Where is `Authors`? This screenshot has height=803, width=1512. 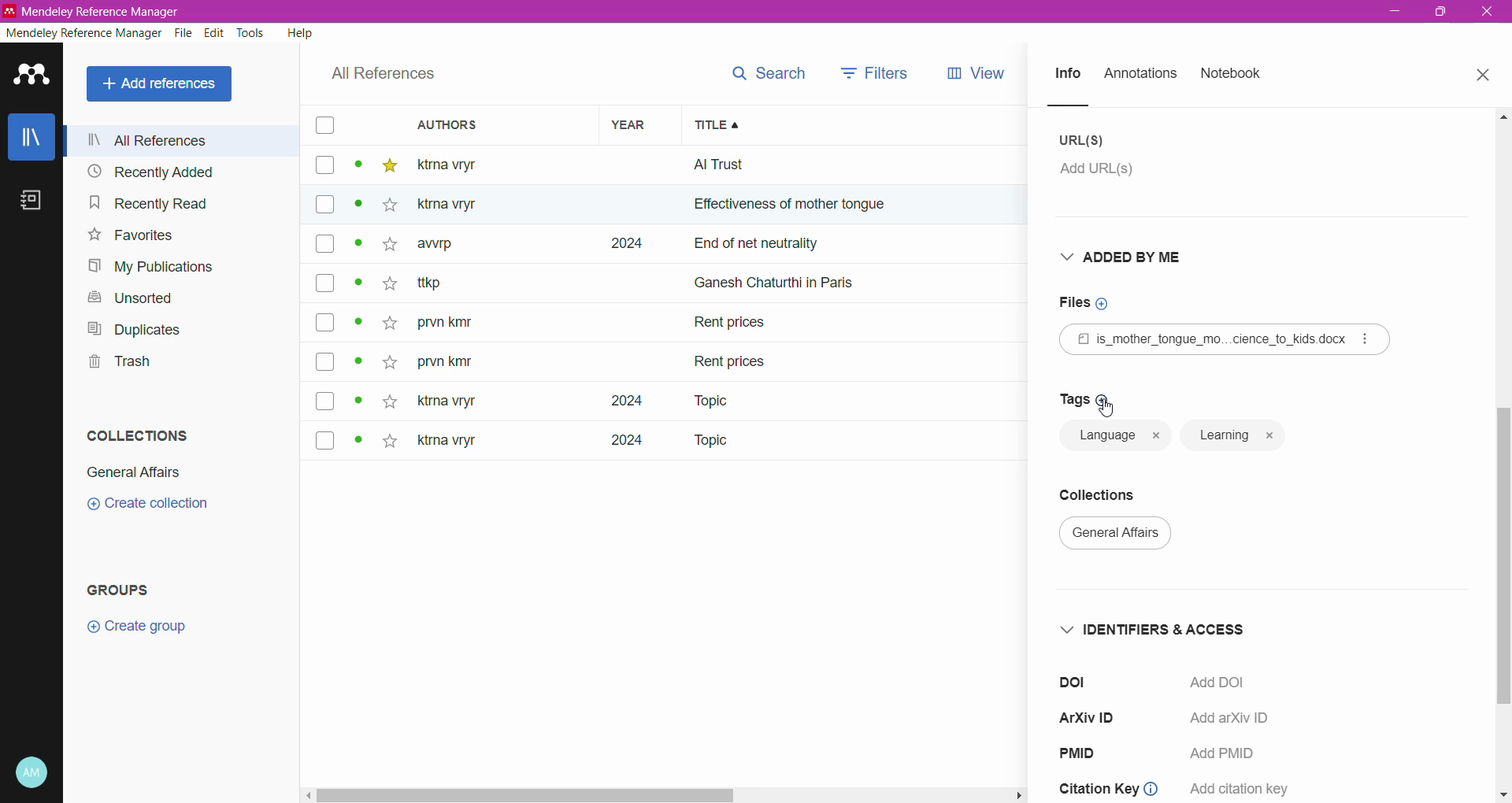 Authors is located at coordinates (486, 124).